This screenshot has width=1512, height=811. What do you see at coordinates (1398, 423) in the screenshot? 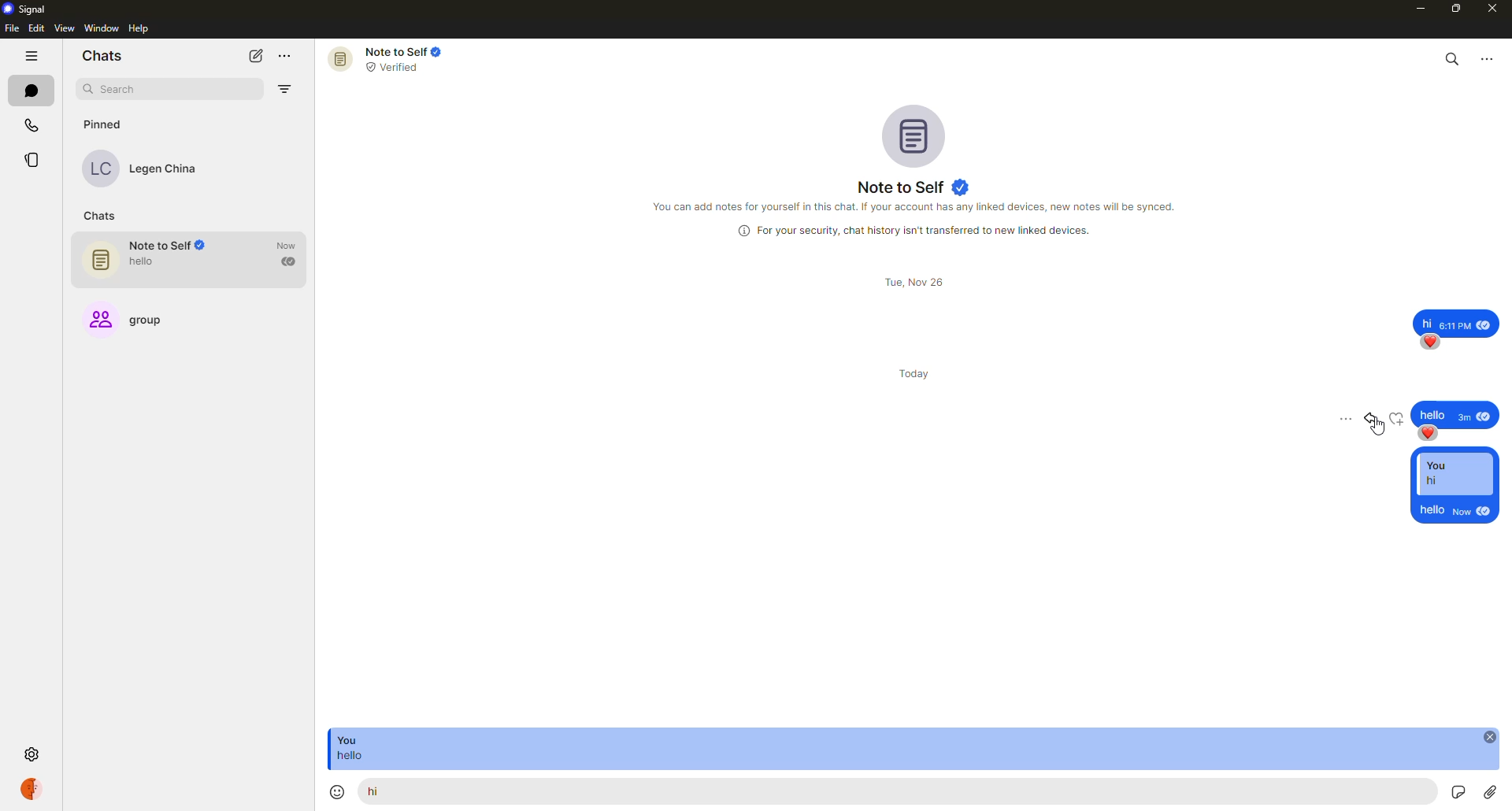
I see `reaction` at bounding box center [1398, 423].